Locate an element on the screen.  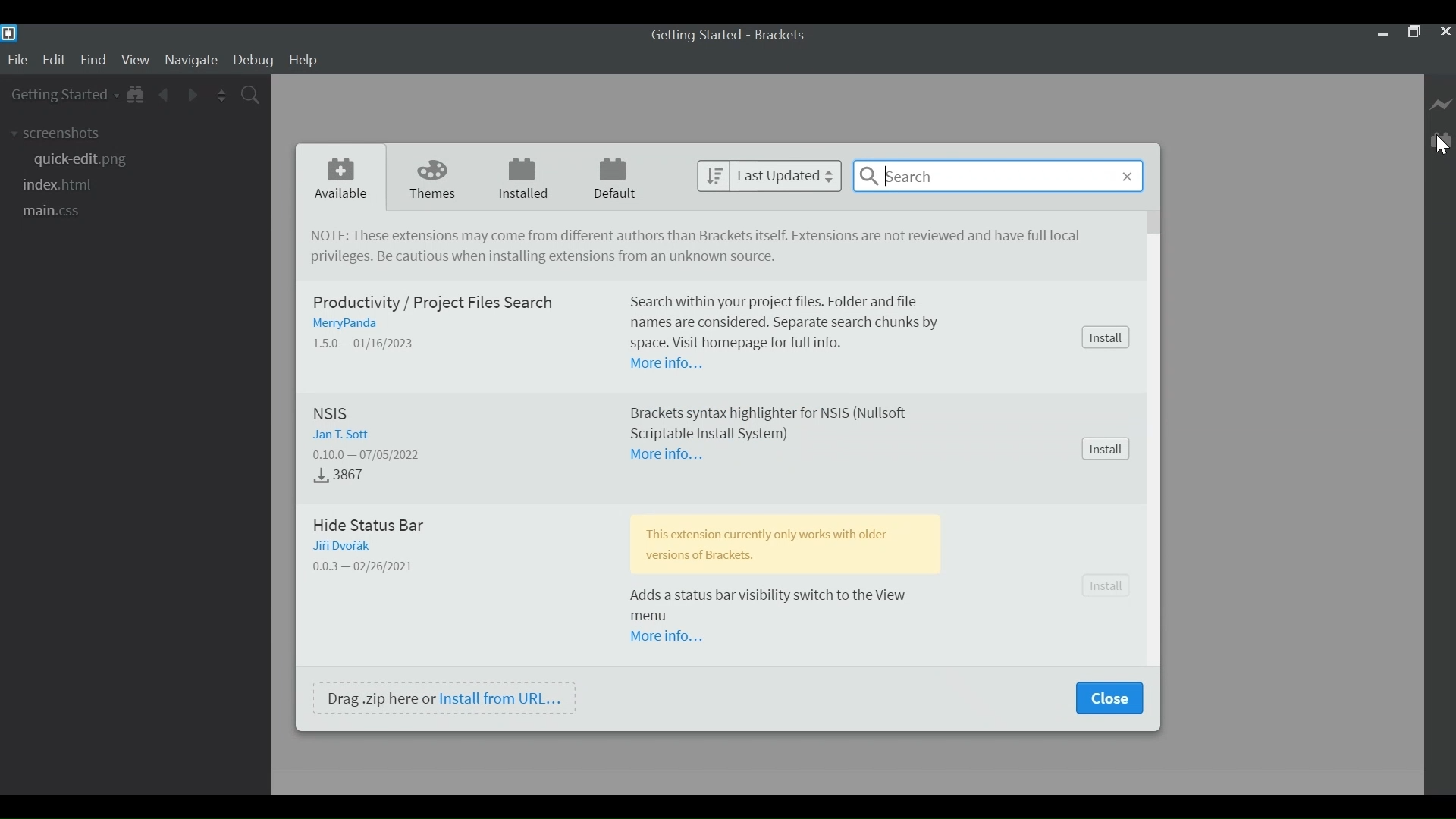
Install is located at coordinates (1107, 448).